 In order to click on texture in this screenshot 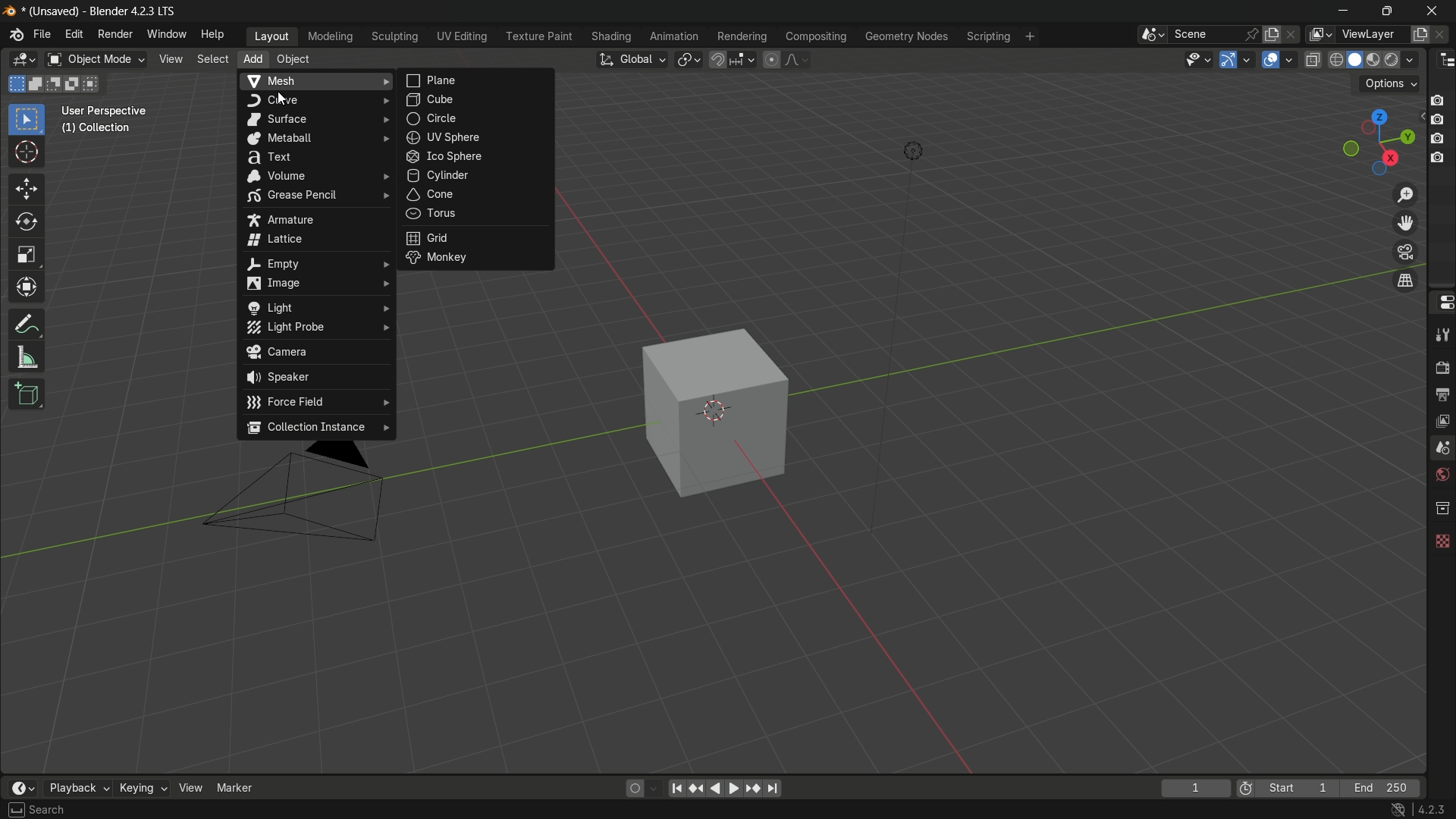, I will do `click(1441, 541)`.